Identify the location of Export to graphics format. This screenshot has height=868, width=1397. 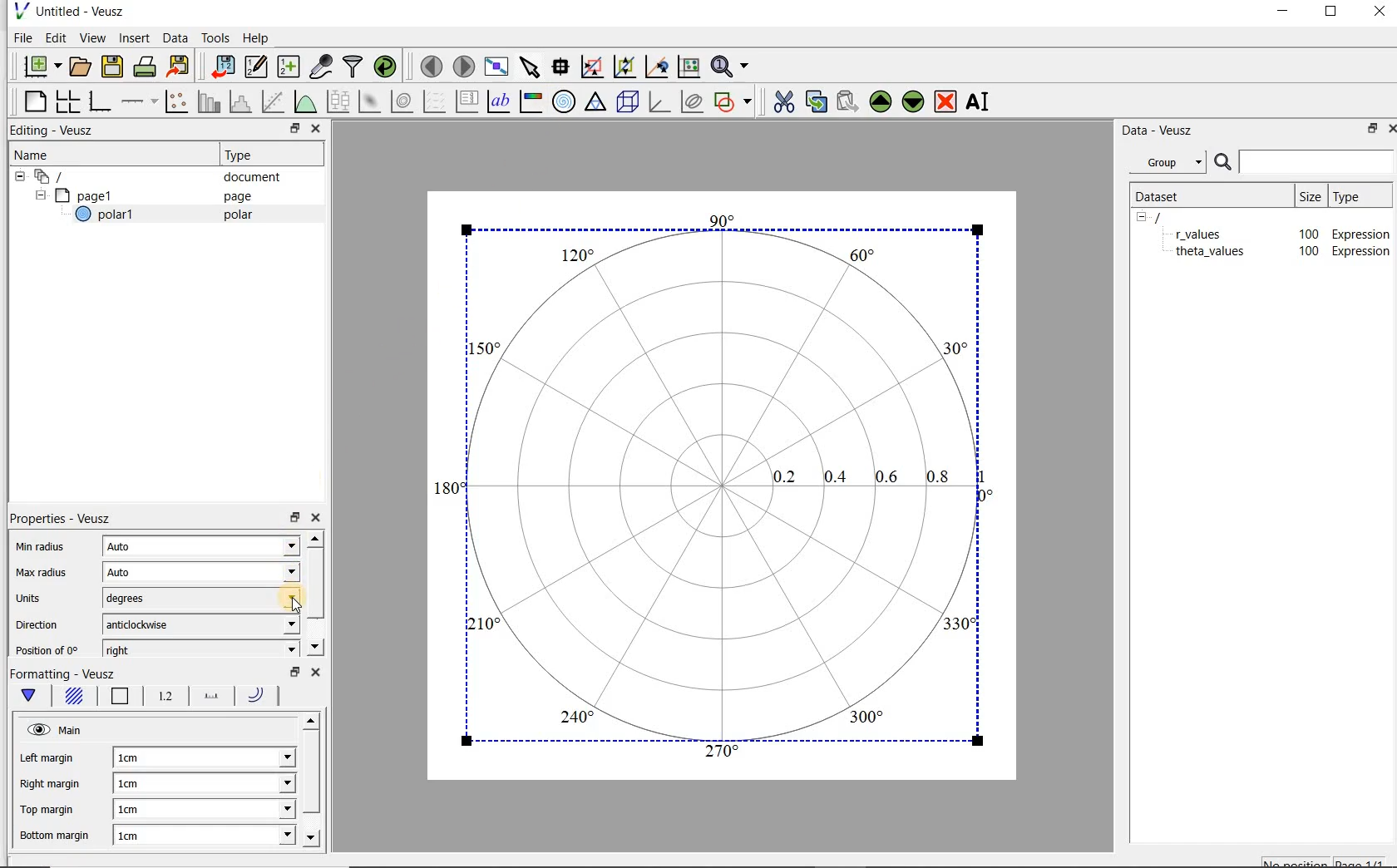
(179, 68).